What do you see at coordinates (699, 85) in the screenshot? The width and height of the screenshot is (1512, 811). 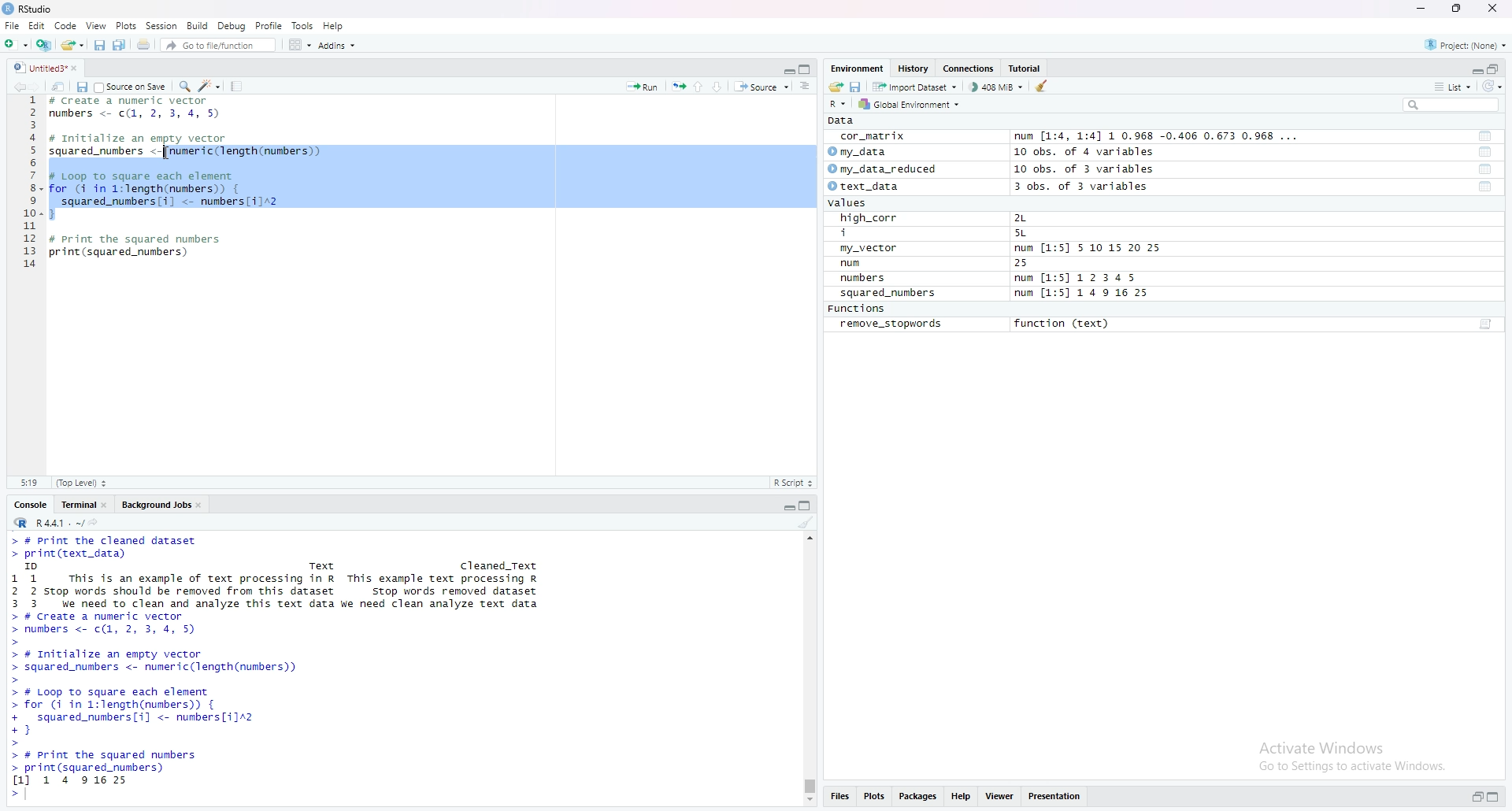 I see `up` at bounding box center [699, 85].